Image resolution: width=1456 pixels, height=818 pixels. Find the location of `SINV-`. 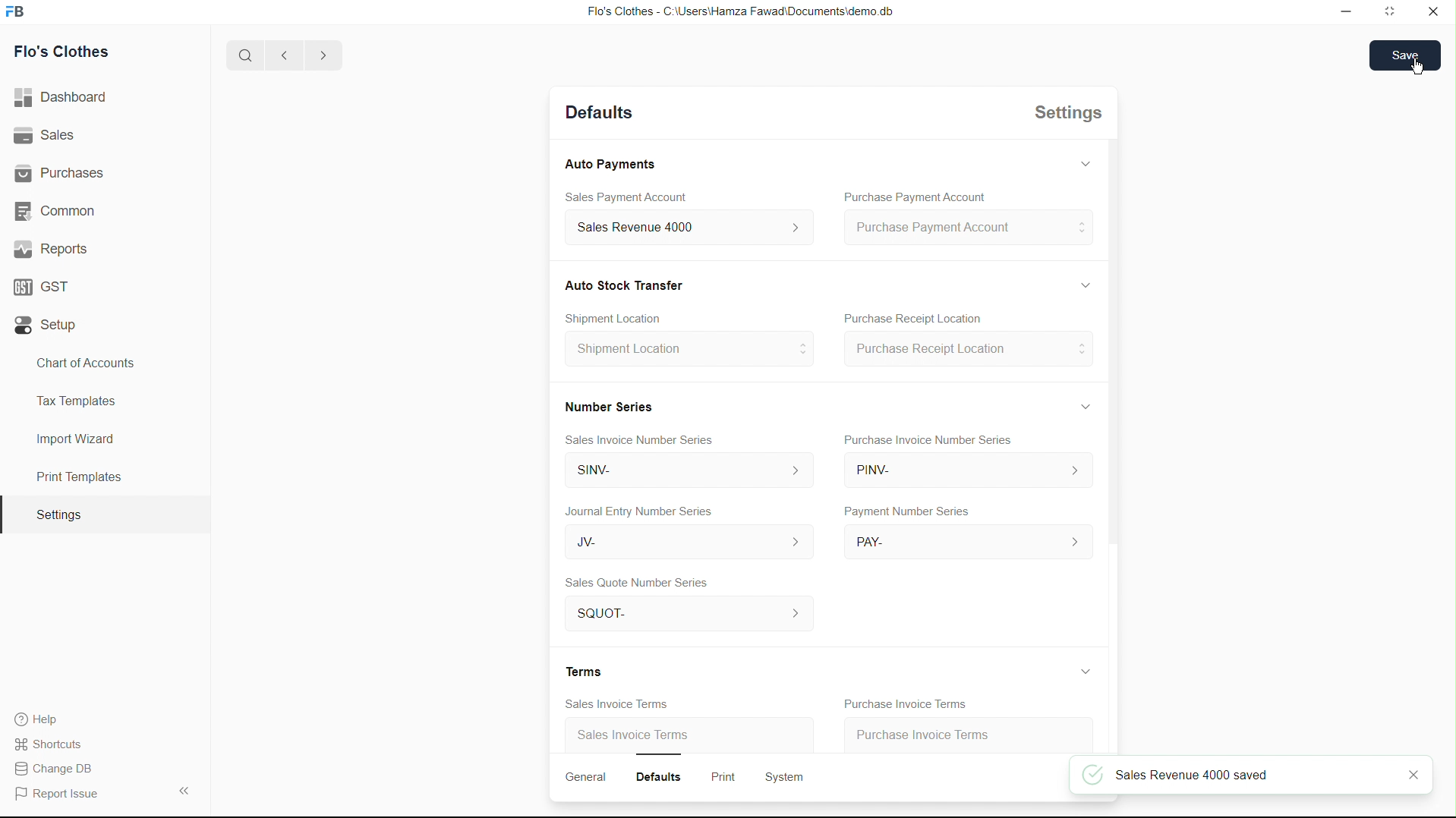

SINV- is located at coordinates (680, 471).